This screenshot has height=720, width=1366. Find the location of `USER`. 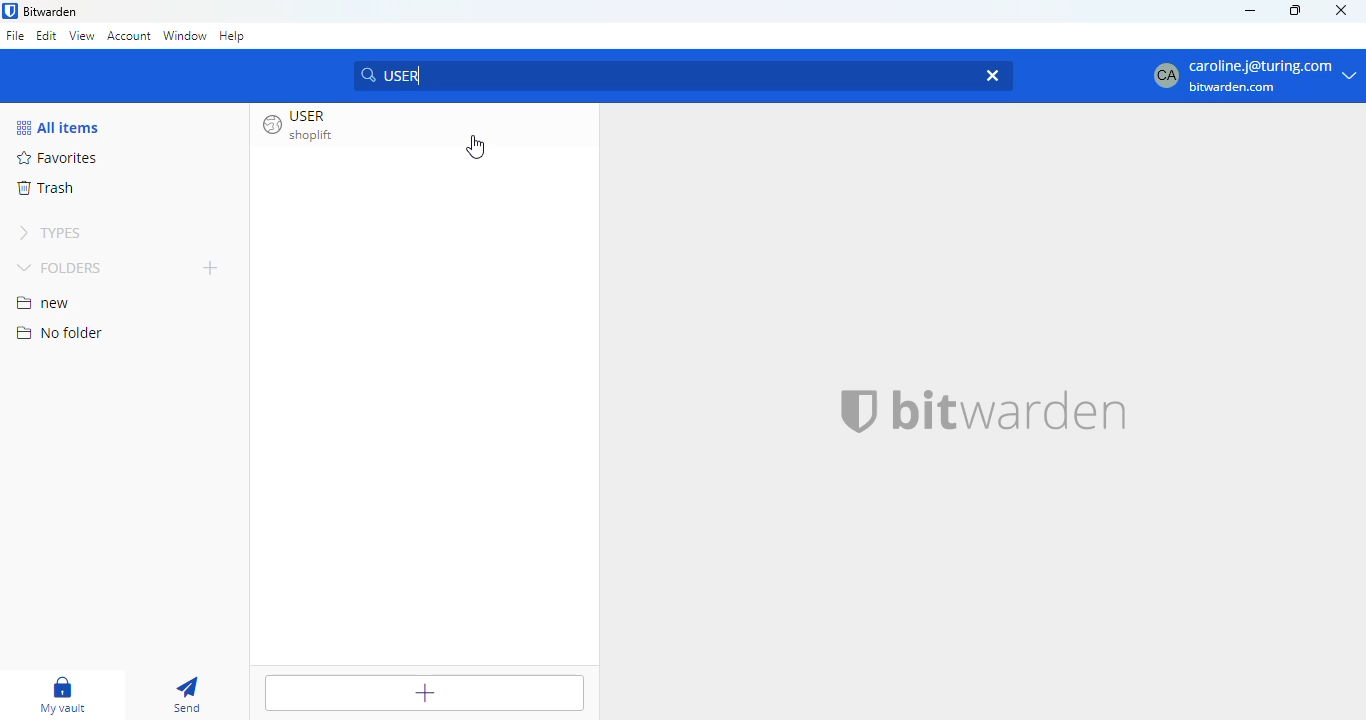

USER is located at coordinates (656, 74).